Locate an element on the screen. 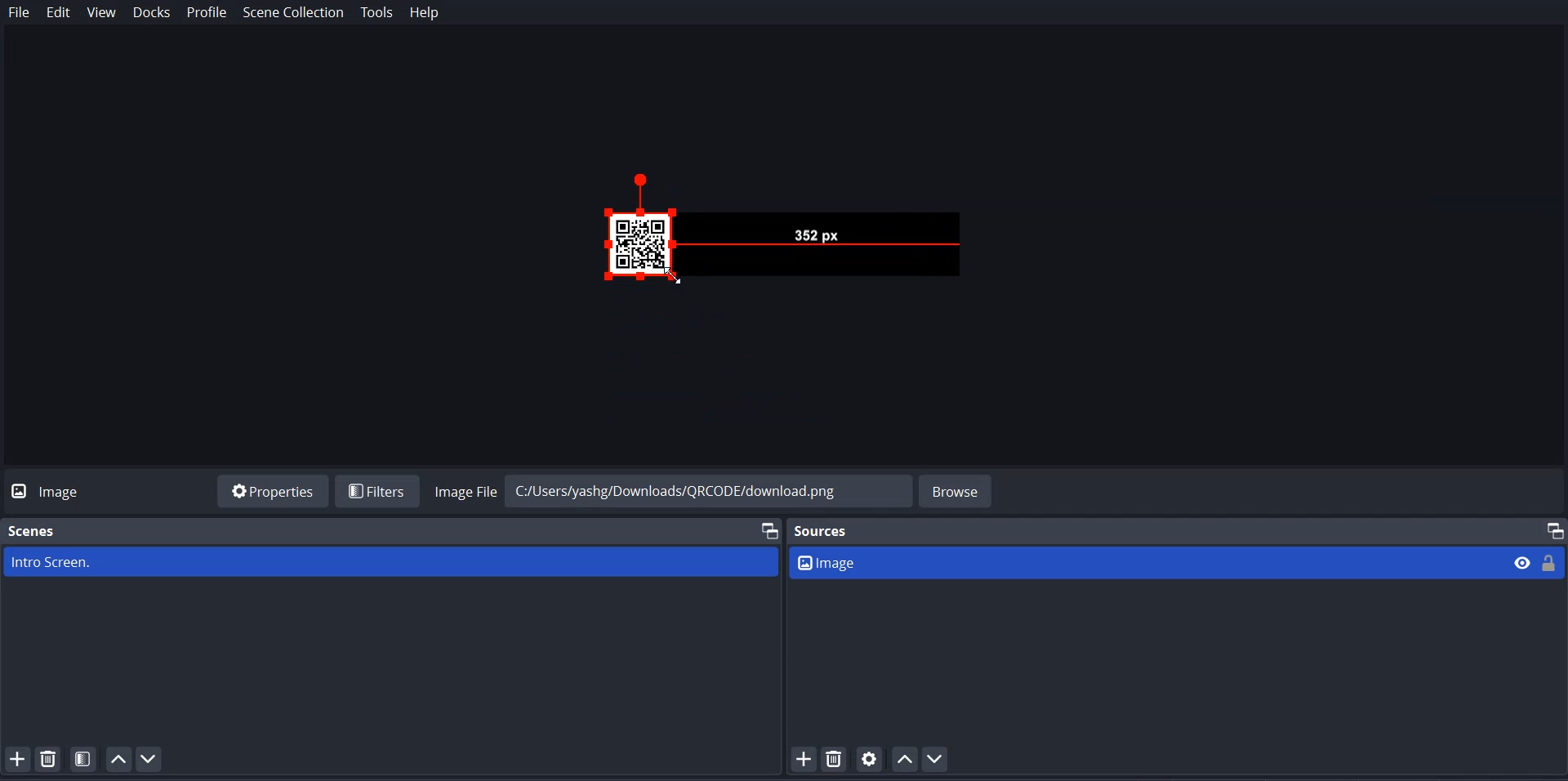 The image size is (1568, 781). Preview Drag Handle is located at coordinates (797, 235).